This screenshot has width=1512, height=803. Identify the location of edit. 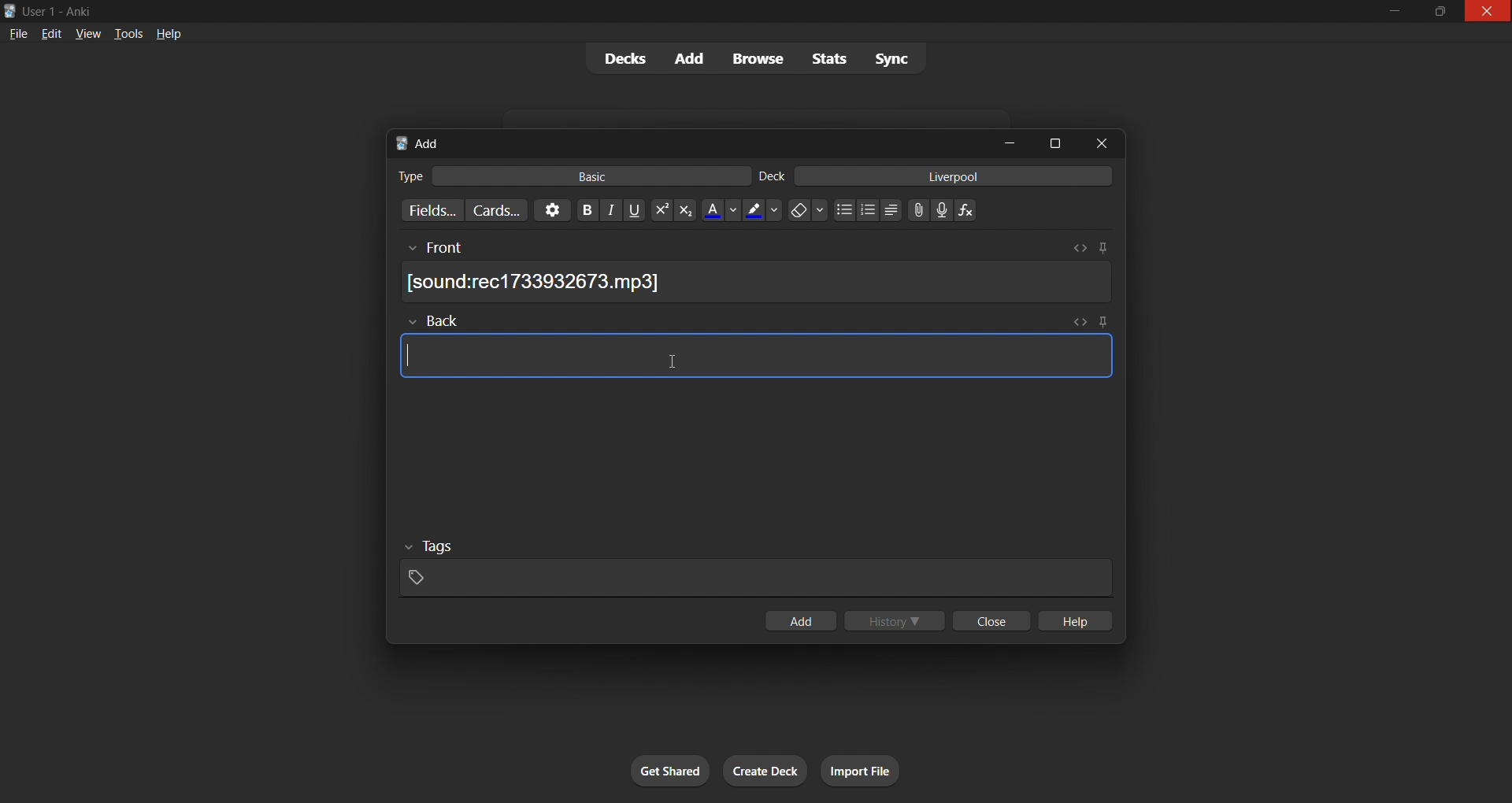
(51, 35).